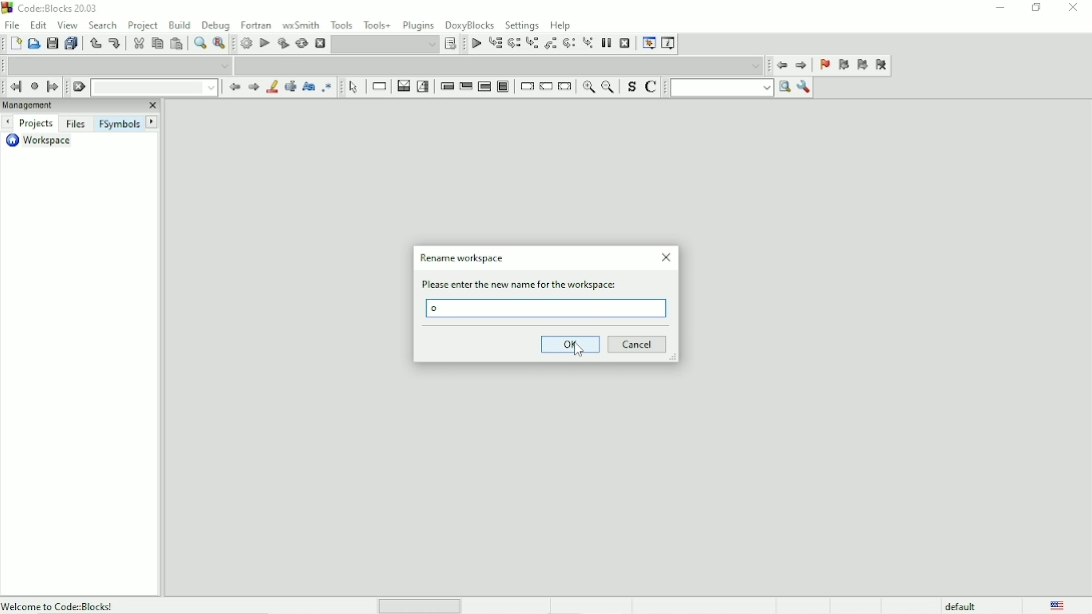 The height and width of the screenshot is (614, 1092). Describe the element at coordinates (245, 44) in the screenshot. I see `Build` at that location.